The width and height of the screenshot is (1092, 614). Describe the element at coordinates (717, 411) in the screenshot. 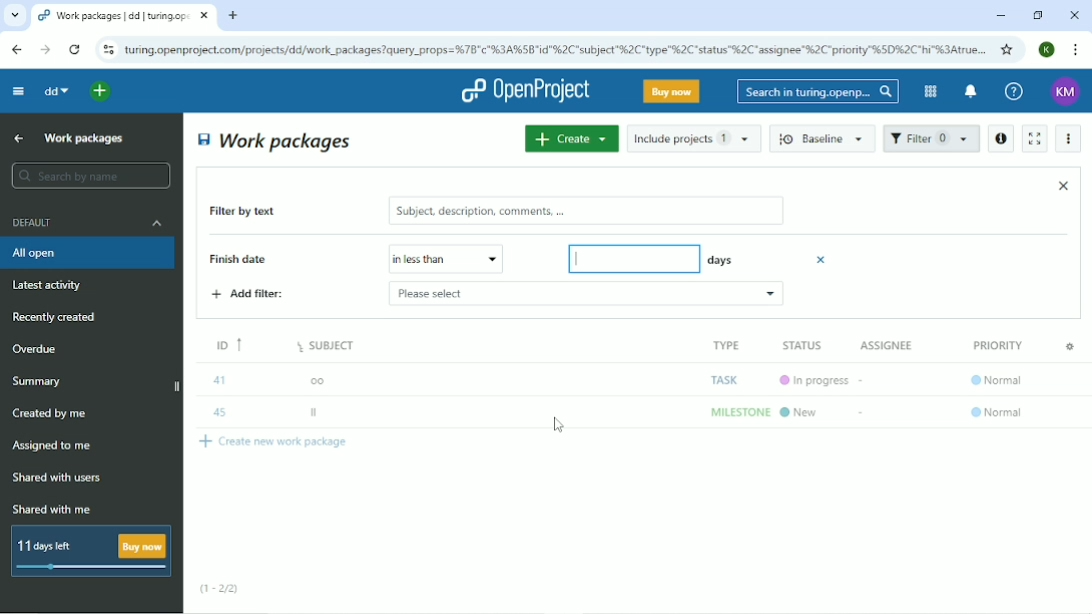

I see `` at that location.